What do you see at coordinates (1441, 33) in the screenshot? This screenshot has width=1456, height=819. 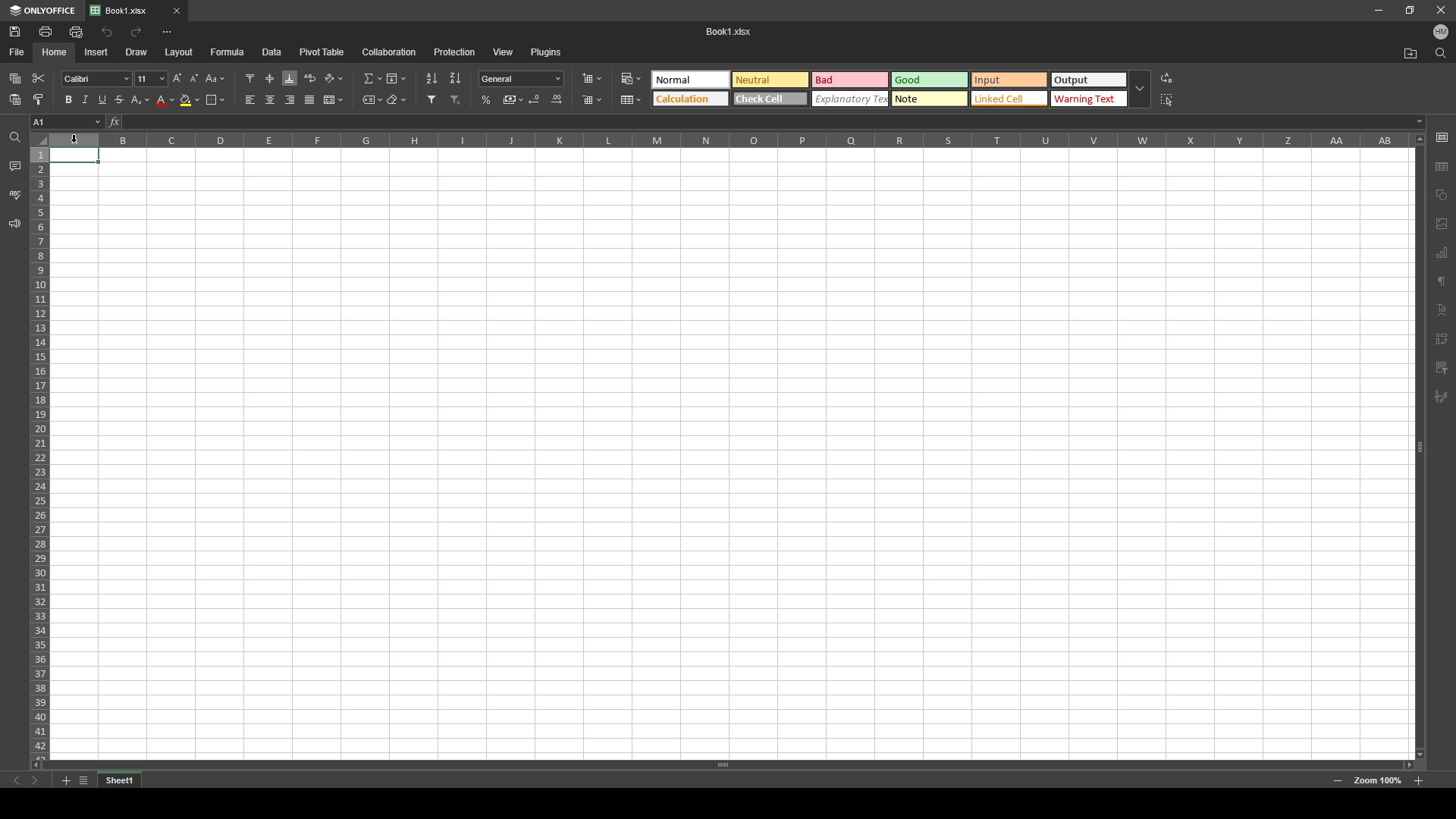 I see `profile` at bounding box center [1441, 33].